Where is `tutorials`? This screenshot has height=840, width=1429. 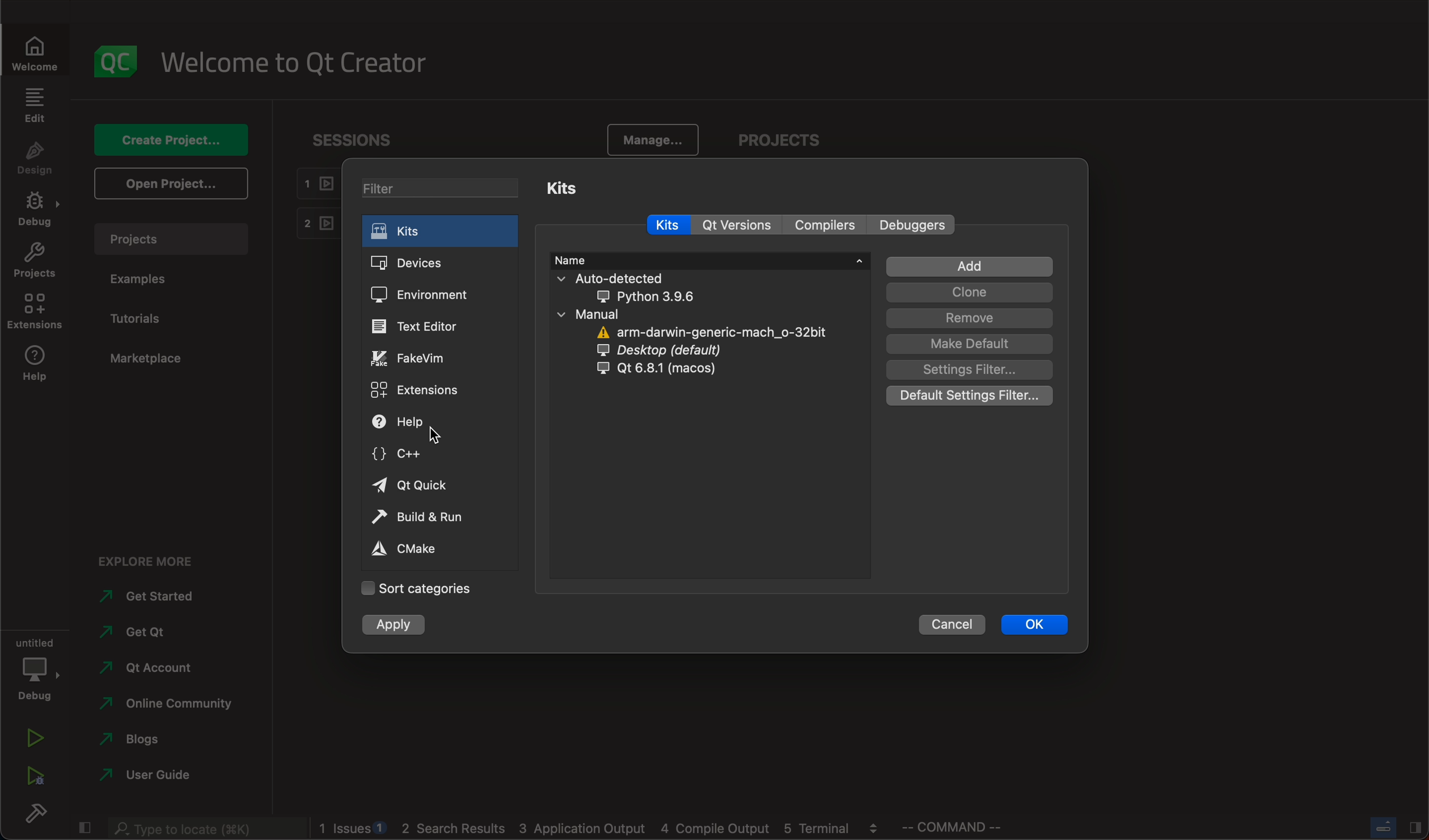
tutorials is located at coordinates (147, 320).